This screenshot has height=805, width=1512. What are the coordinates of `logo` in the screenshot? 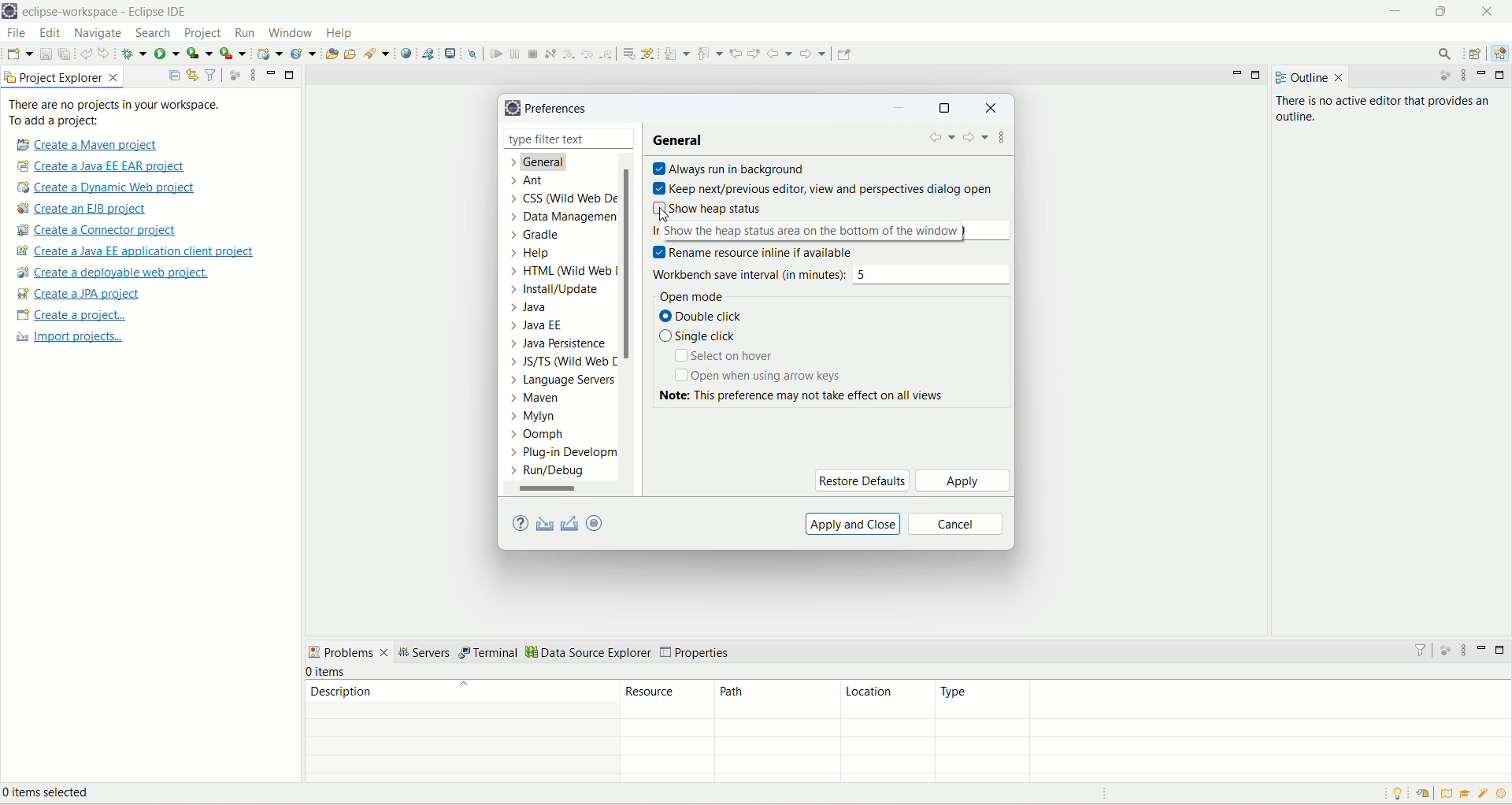 It's located at (10, 12).